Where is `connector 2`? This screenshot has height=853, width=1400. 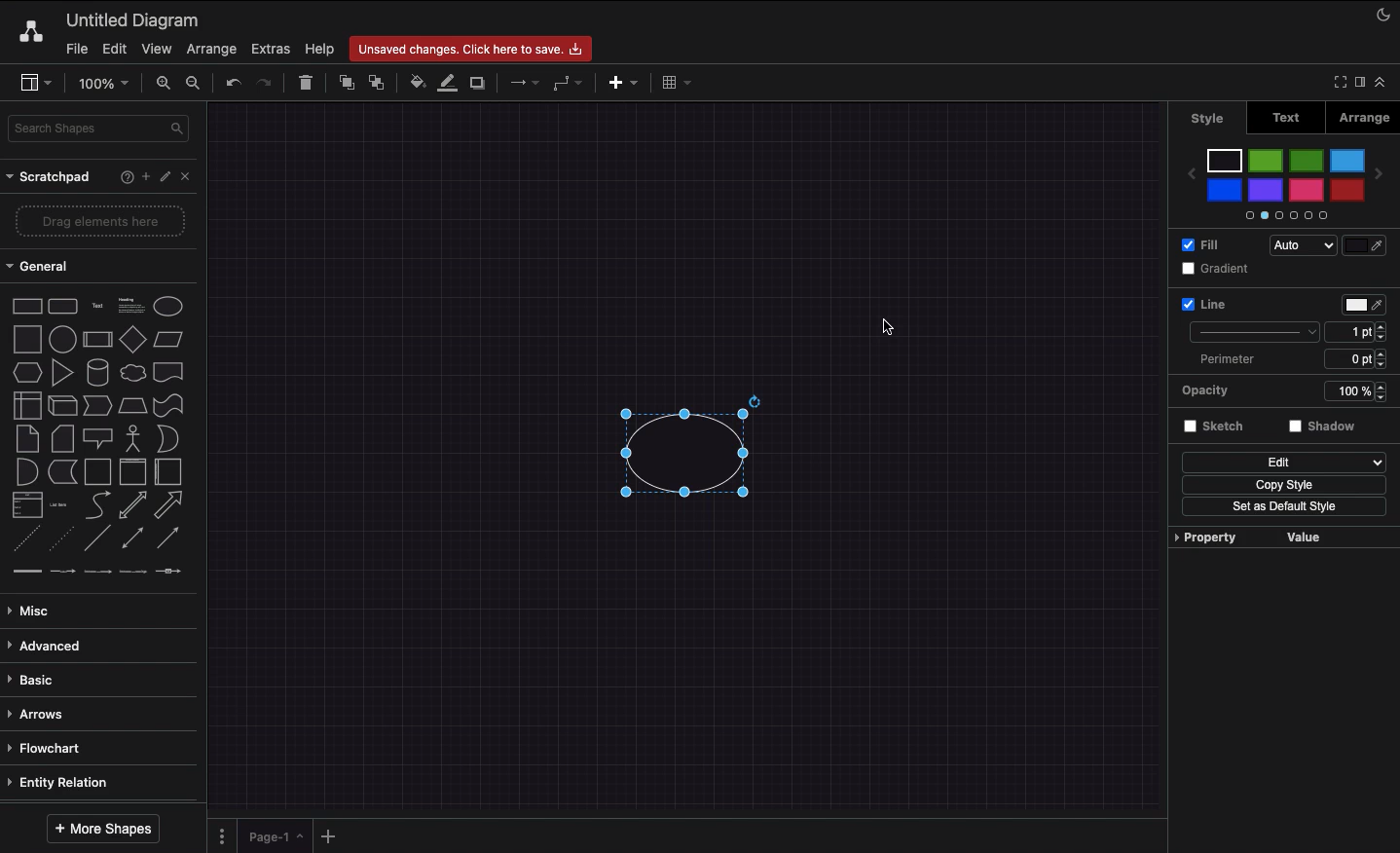 connector 2 is located at coordinates (62, 572).